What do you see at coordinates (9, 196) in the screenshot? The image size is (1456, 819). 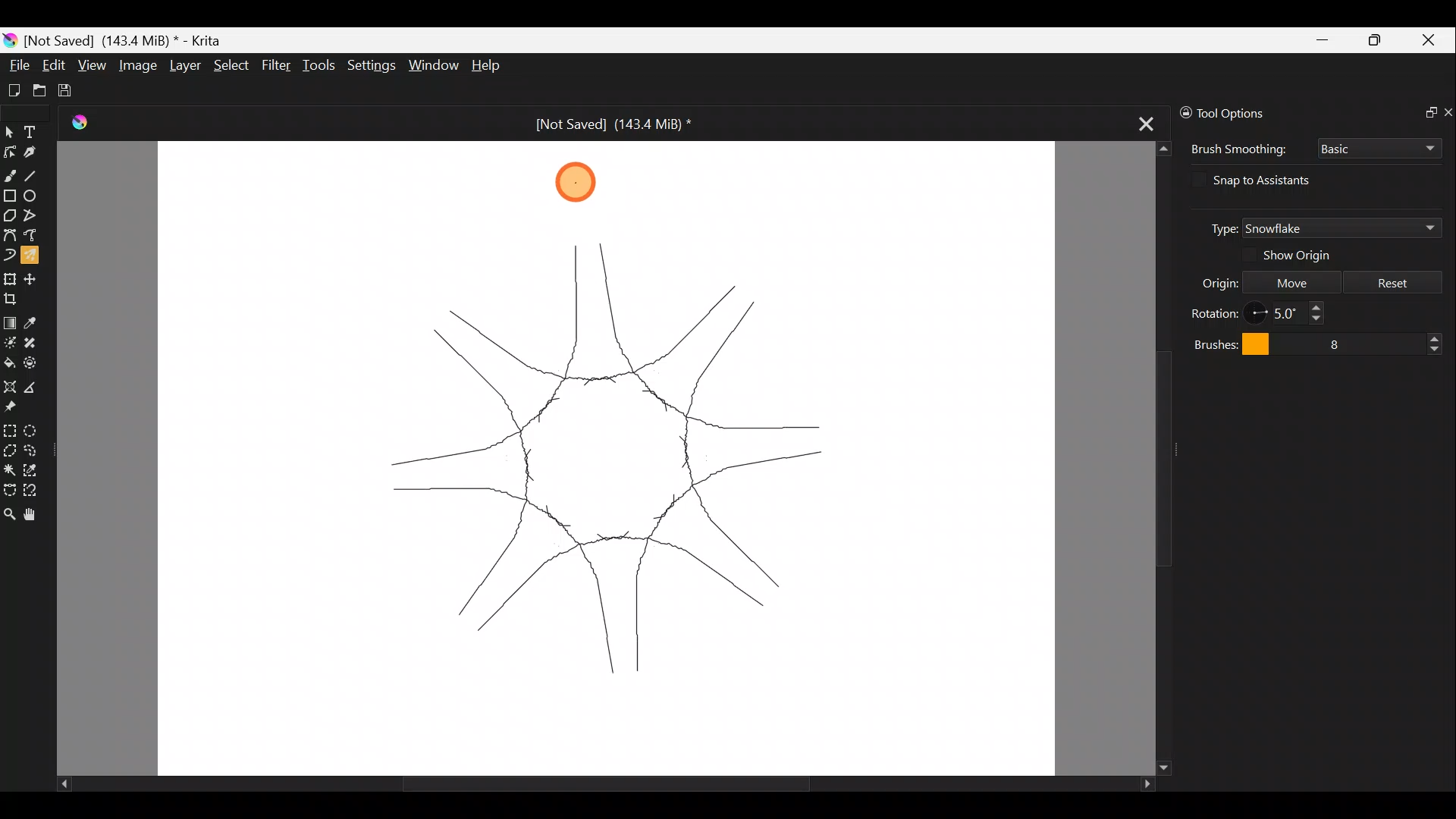 I see `Rectangle` at bounding box center [9, 196].